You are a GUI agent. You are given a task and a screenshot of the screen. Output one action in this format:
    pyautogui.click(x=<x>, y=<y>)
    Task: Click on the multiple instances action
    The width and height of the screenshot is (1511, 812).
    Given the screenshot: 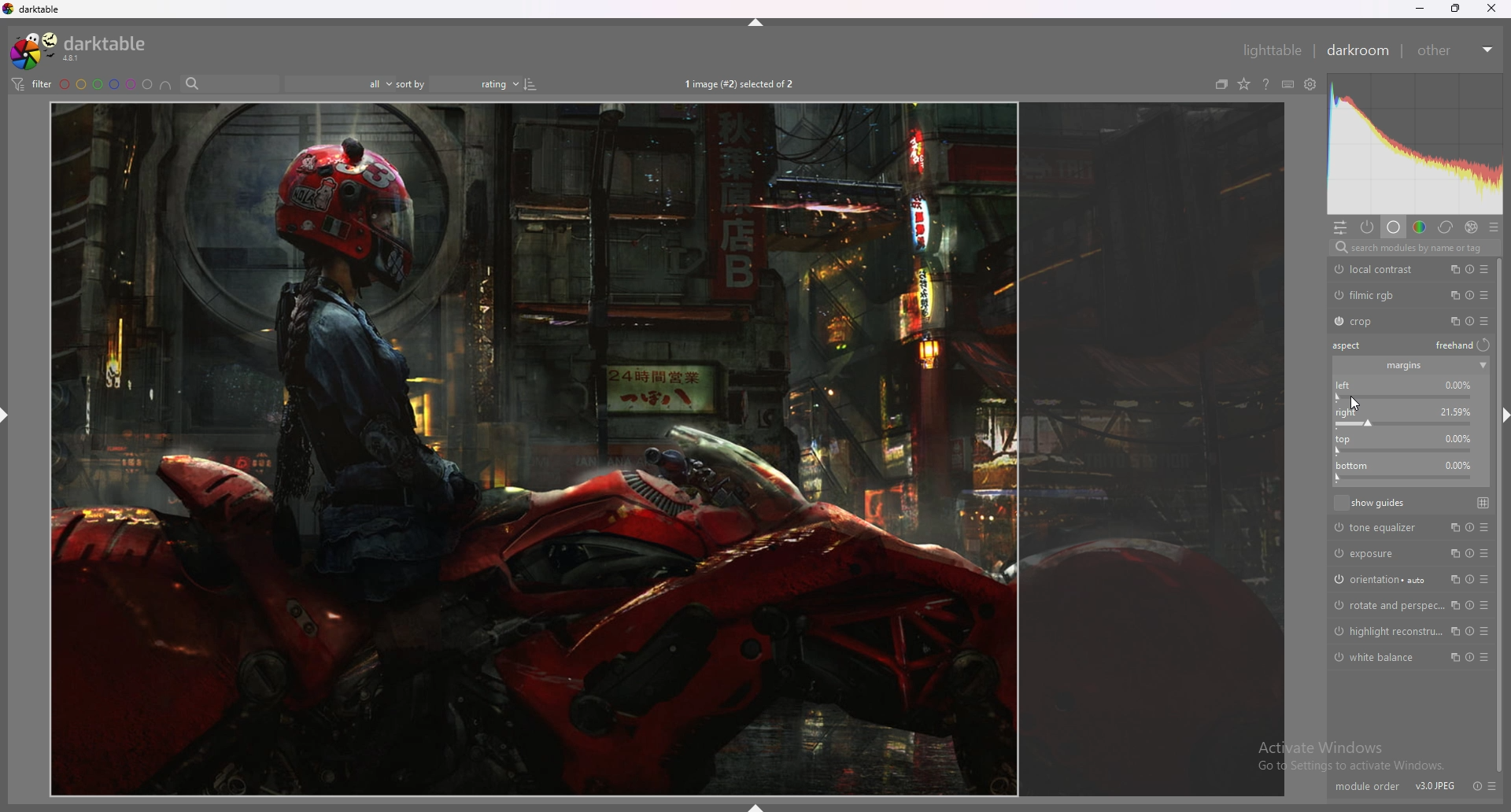 What is the action you would take?
    pyautogui.click(x=1451, y=526)
    